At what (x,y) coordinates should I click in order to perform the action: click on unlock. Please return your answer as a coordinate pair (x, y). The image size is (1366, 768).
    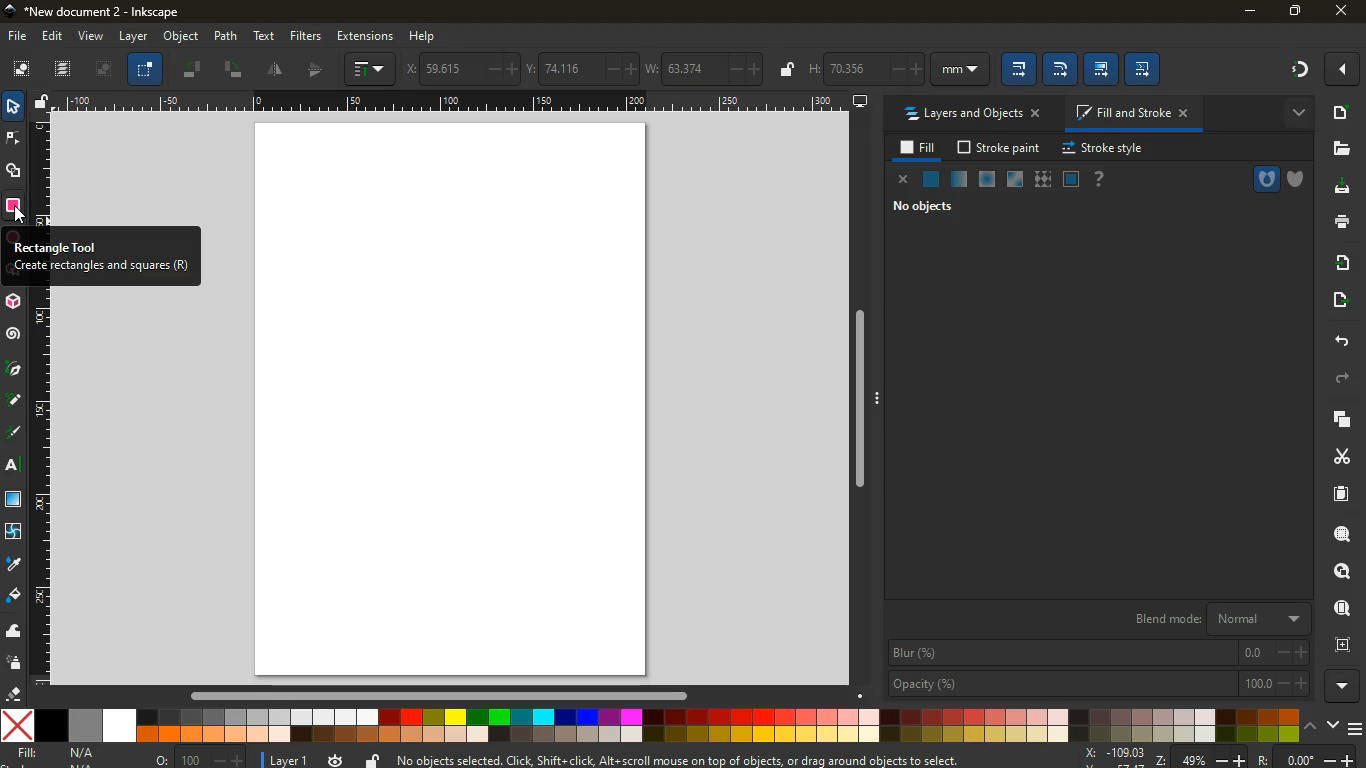
    Looking at the image, I should click on (374, 760).